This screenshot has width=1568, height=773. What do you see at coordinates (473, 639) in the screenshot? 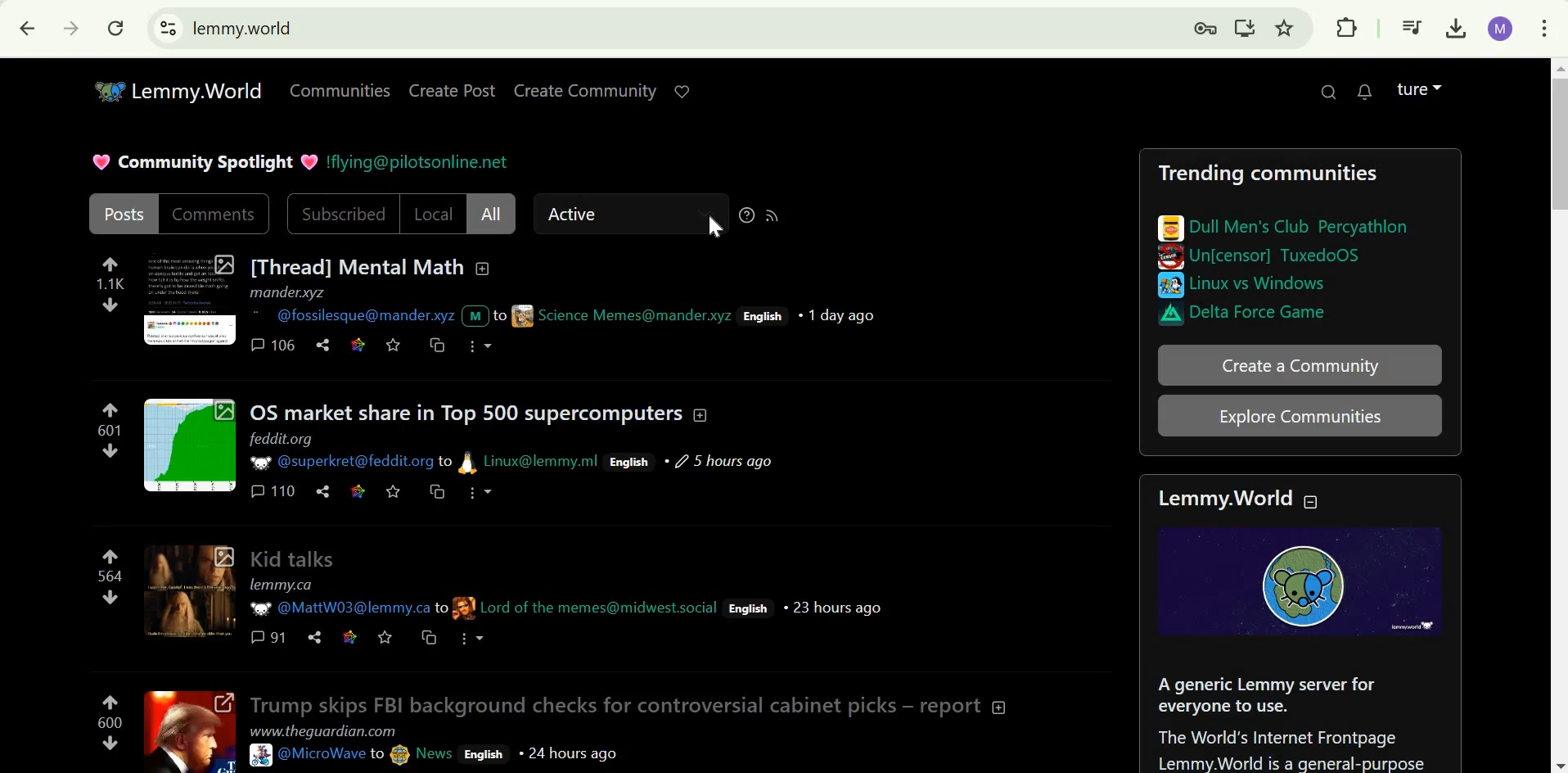
I see `More` at bounding box center [473, 639].